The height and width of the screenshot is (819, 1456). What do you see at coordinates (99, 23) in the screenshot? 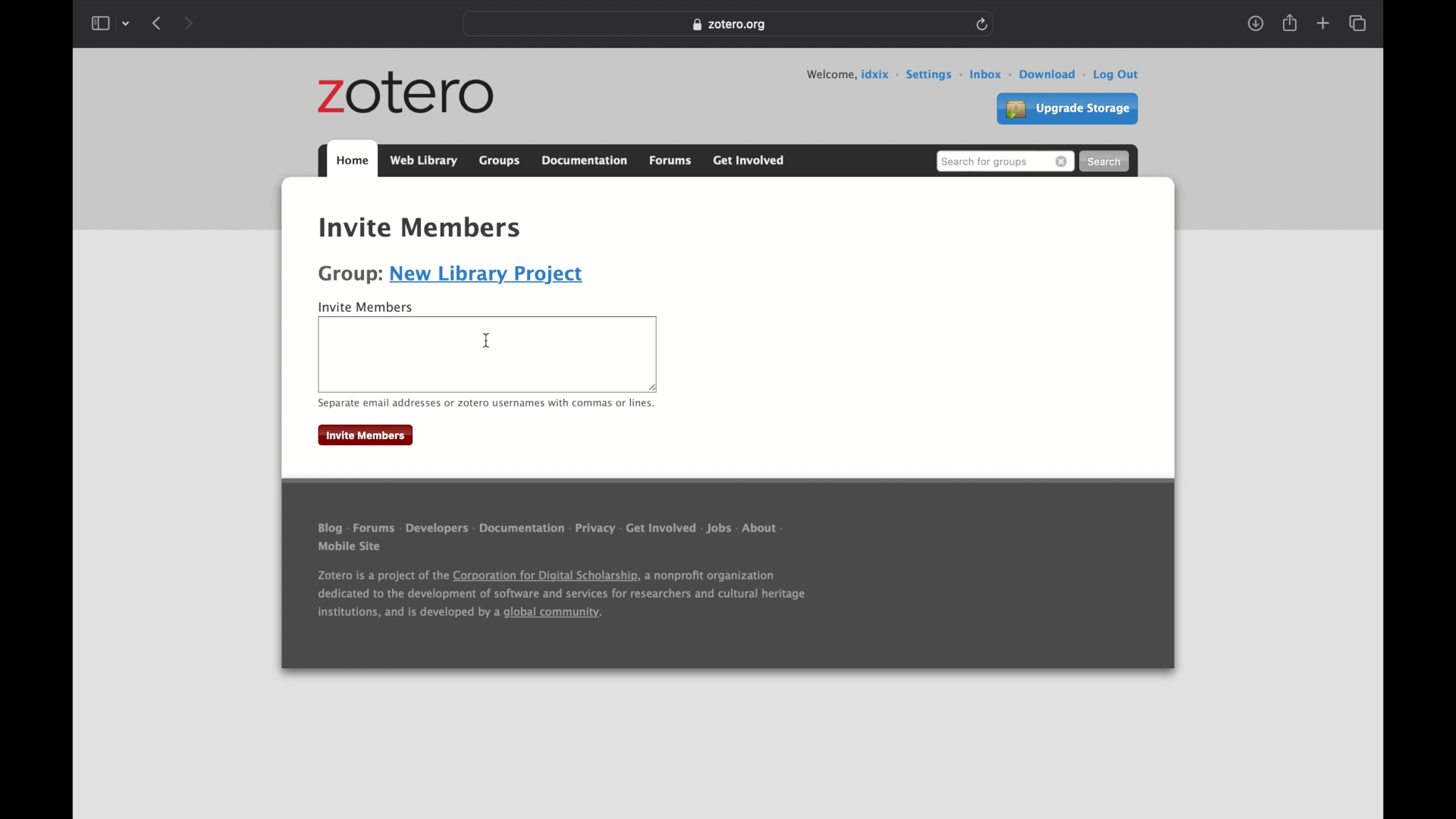
I see `show sidebar` at bounding box center [99, 23].